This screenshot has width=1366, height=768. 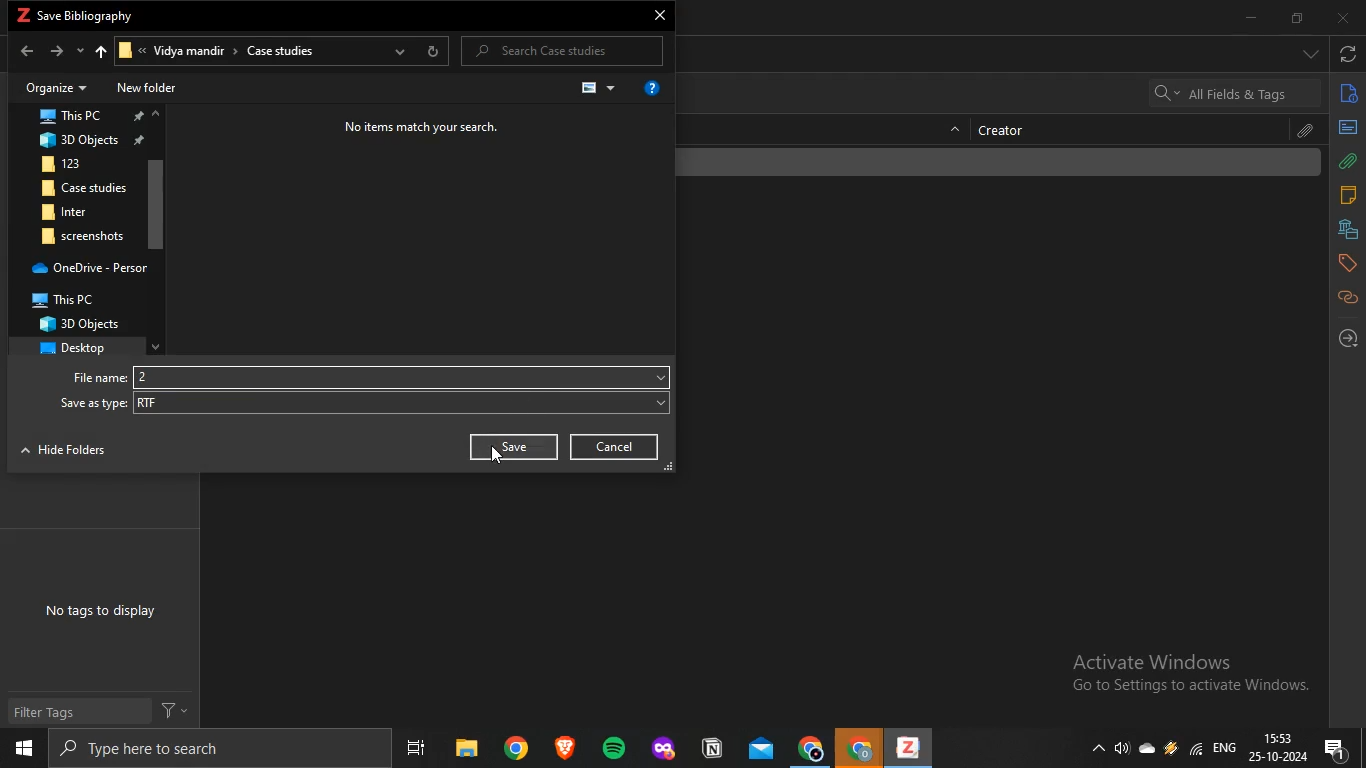 I want to click on Active windows, so click(x=1191, y=674).